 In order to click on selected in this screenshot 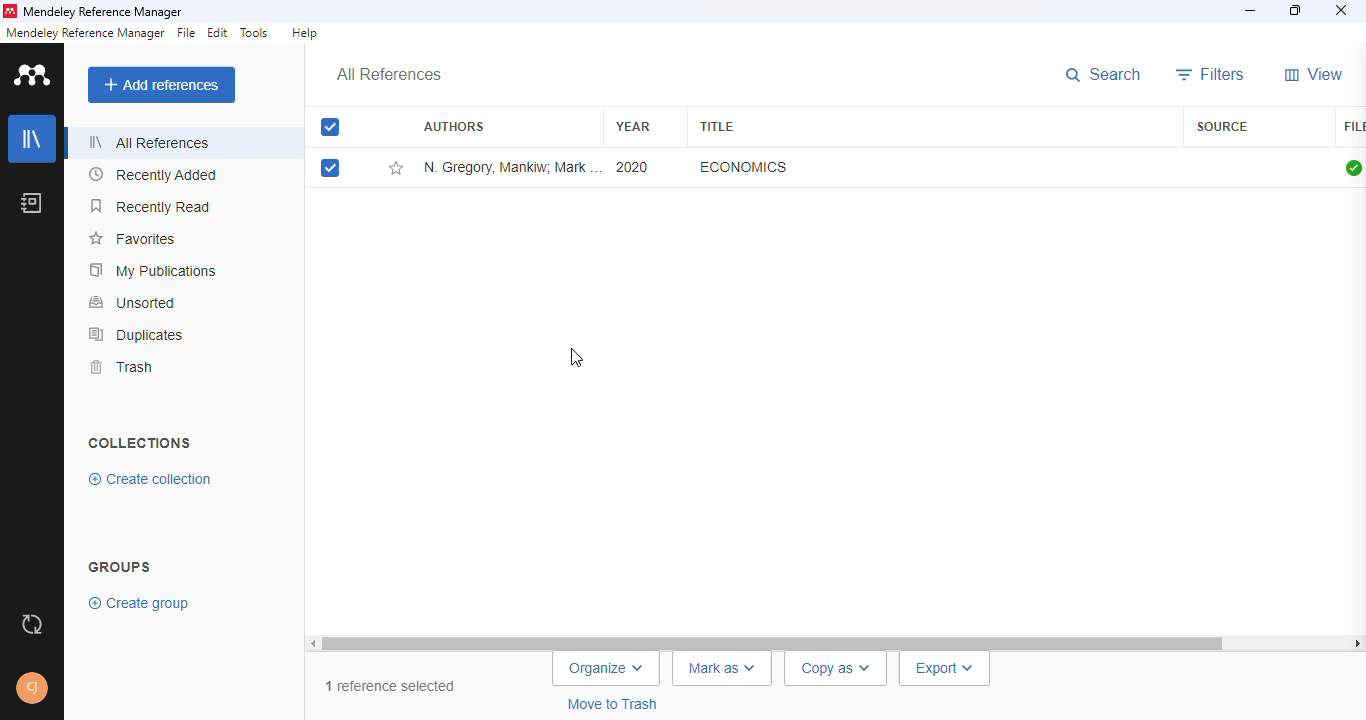, I will do `click(330, 168)`.